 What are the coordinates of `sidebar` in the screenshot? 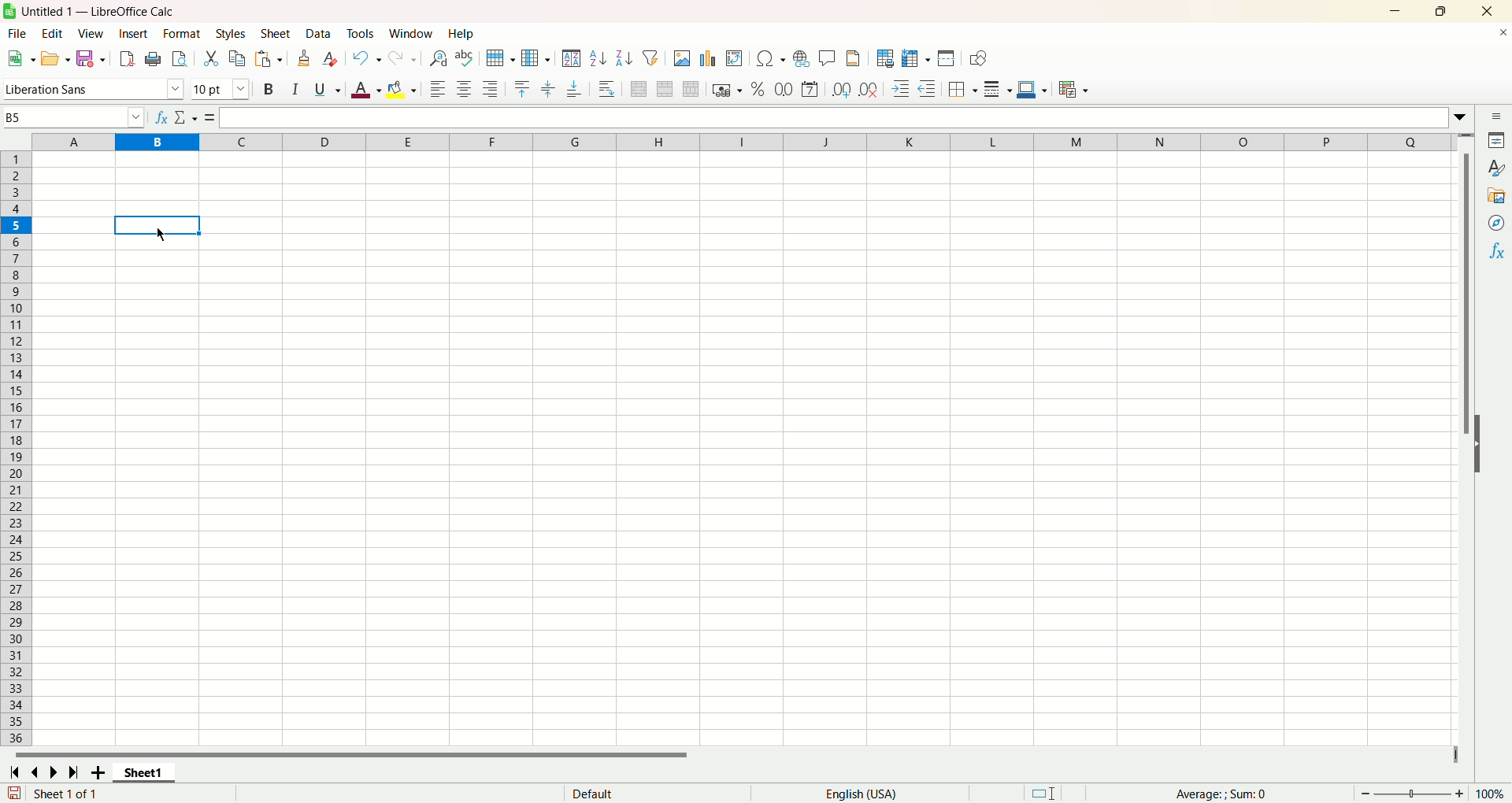 It's located at (1495, 117).